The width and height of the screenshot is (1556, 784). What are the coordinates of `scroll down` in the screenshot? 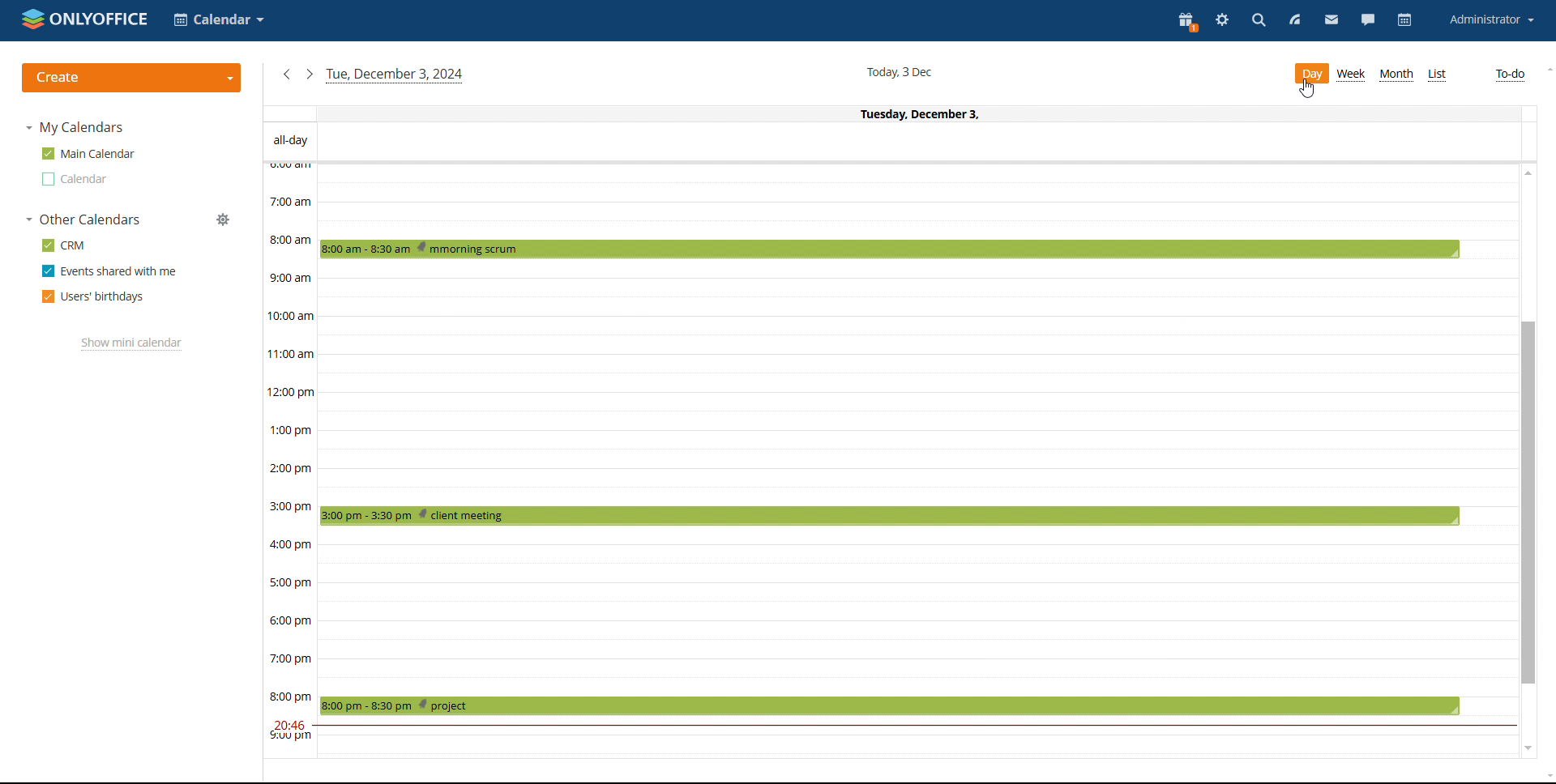 It's located at (1528, 748).